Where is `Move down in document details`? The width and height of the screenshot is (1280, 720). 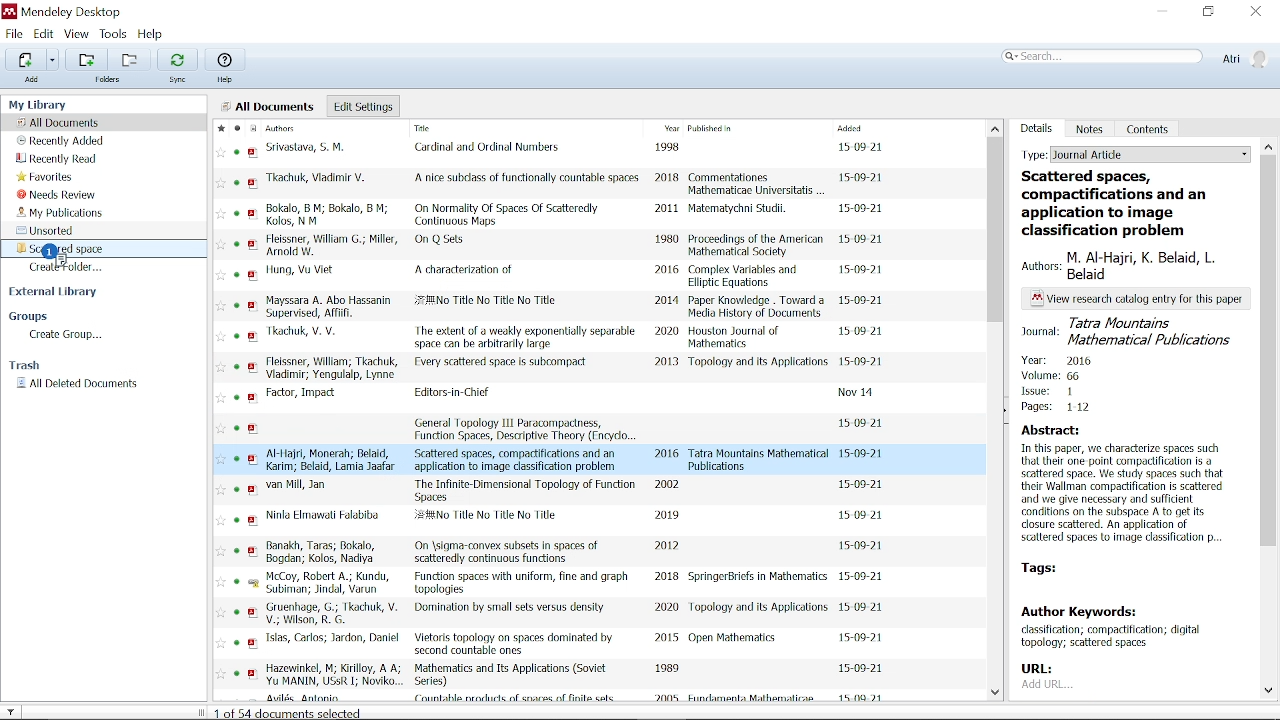
Move down in document details is located at coordinates (1269, 691).